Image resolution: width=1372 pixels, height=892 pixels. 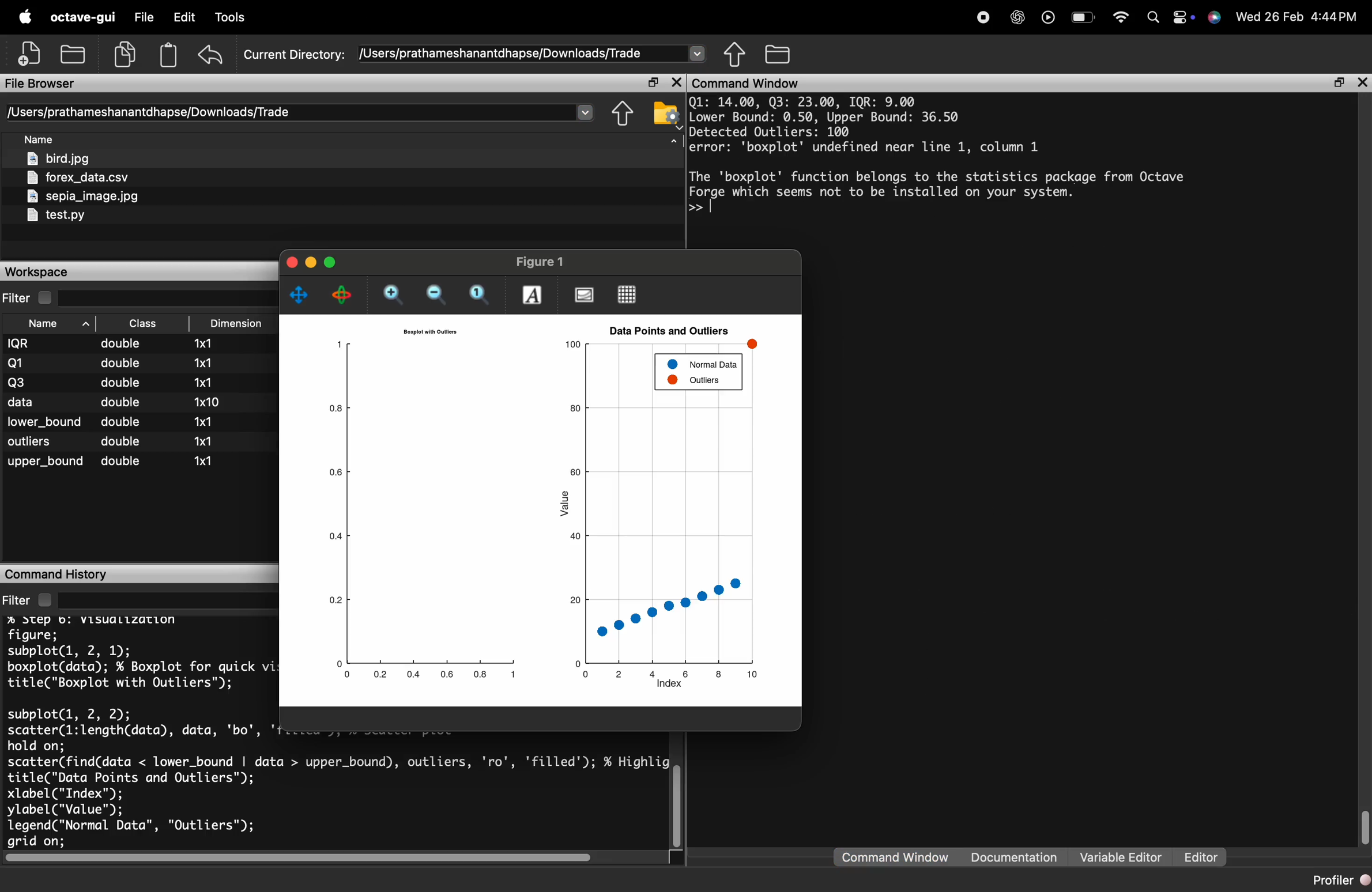 I want to click on play, so click(x=1048, y=20).